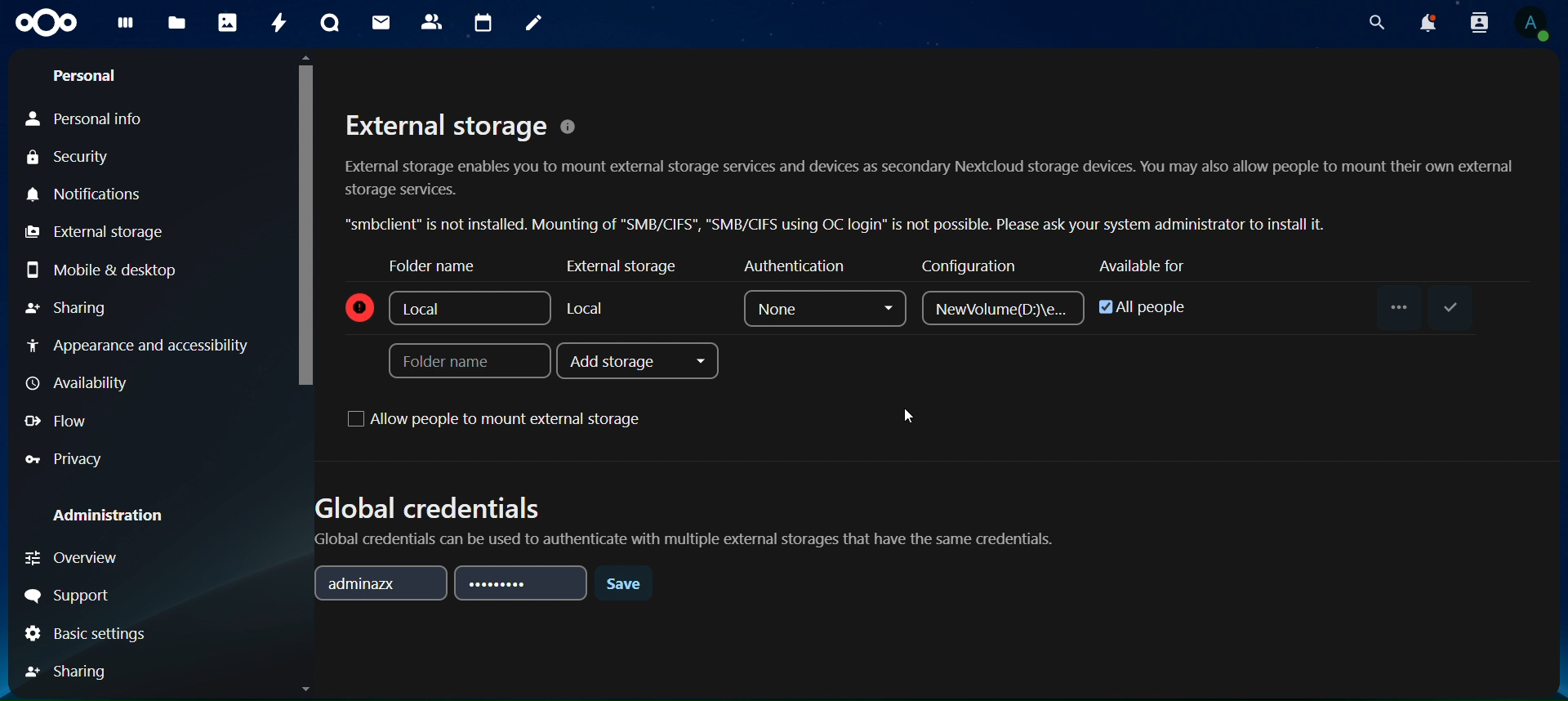  What do you see at coordinates (88, 633) in the screenshot?
I see `basic settings` at bounding box center [88, 633].